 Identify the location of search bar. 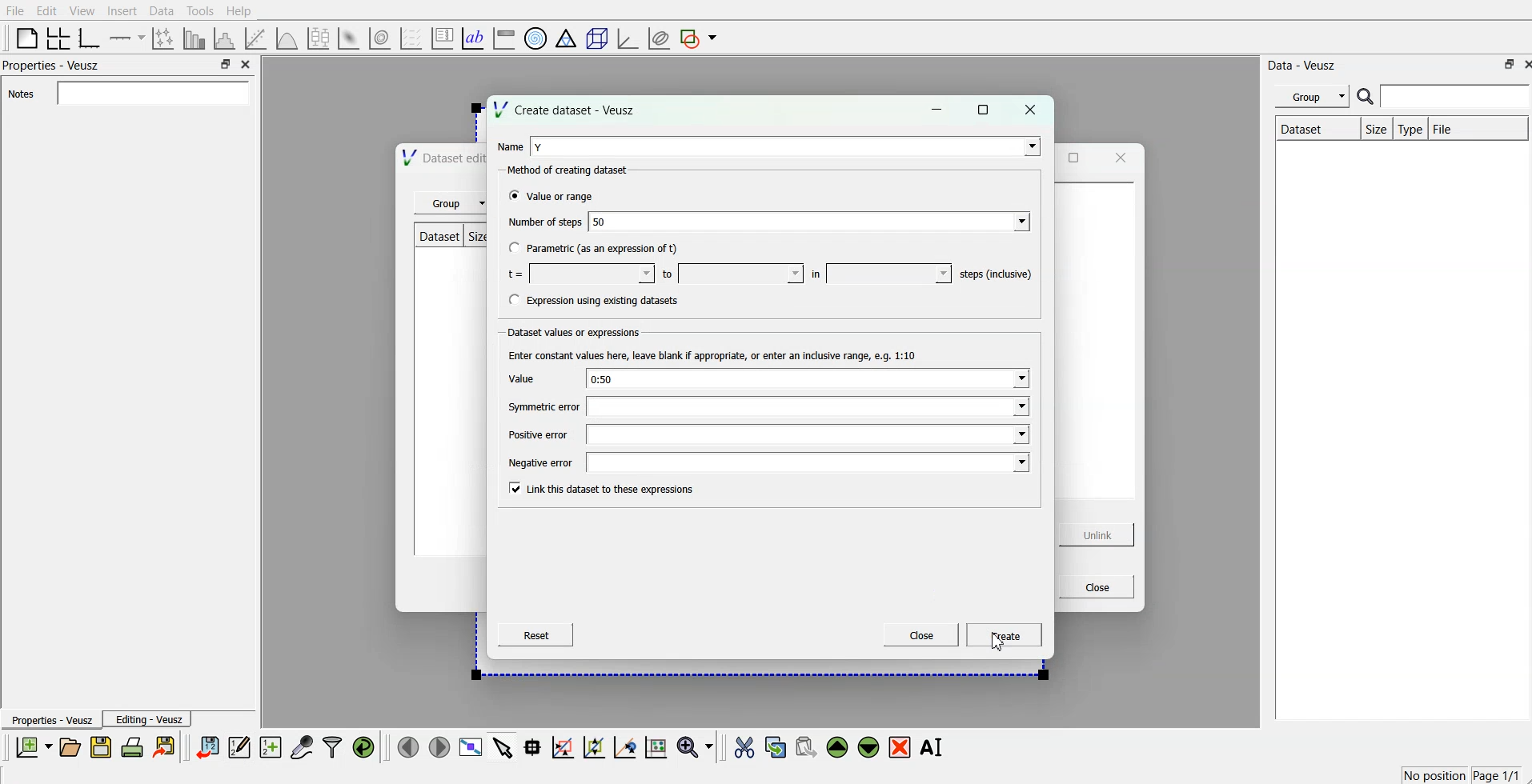
(1443, 96).